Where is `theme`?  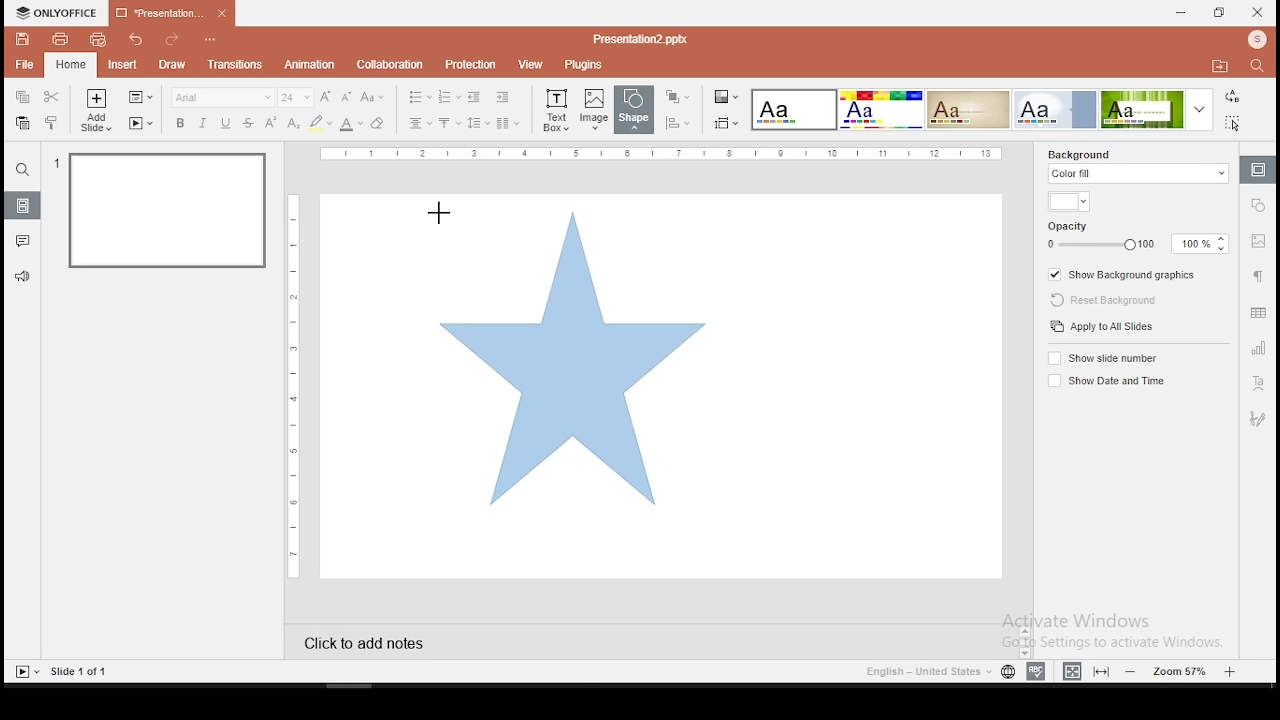
theme is located at coordinates (1160, 109).